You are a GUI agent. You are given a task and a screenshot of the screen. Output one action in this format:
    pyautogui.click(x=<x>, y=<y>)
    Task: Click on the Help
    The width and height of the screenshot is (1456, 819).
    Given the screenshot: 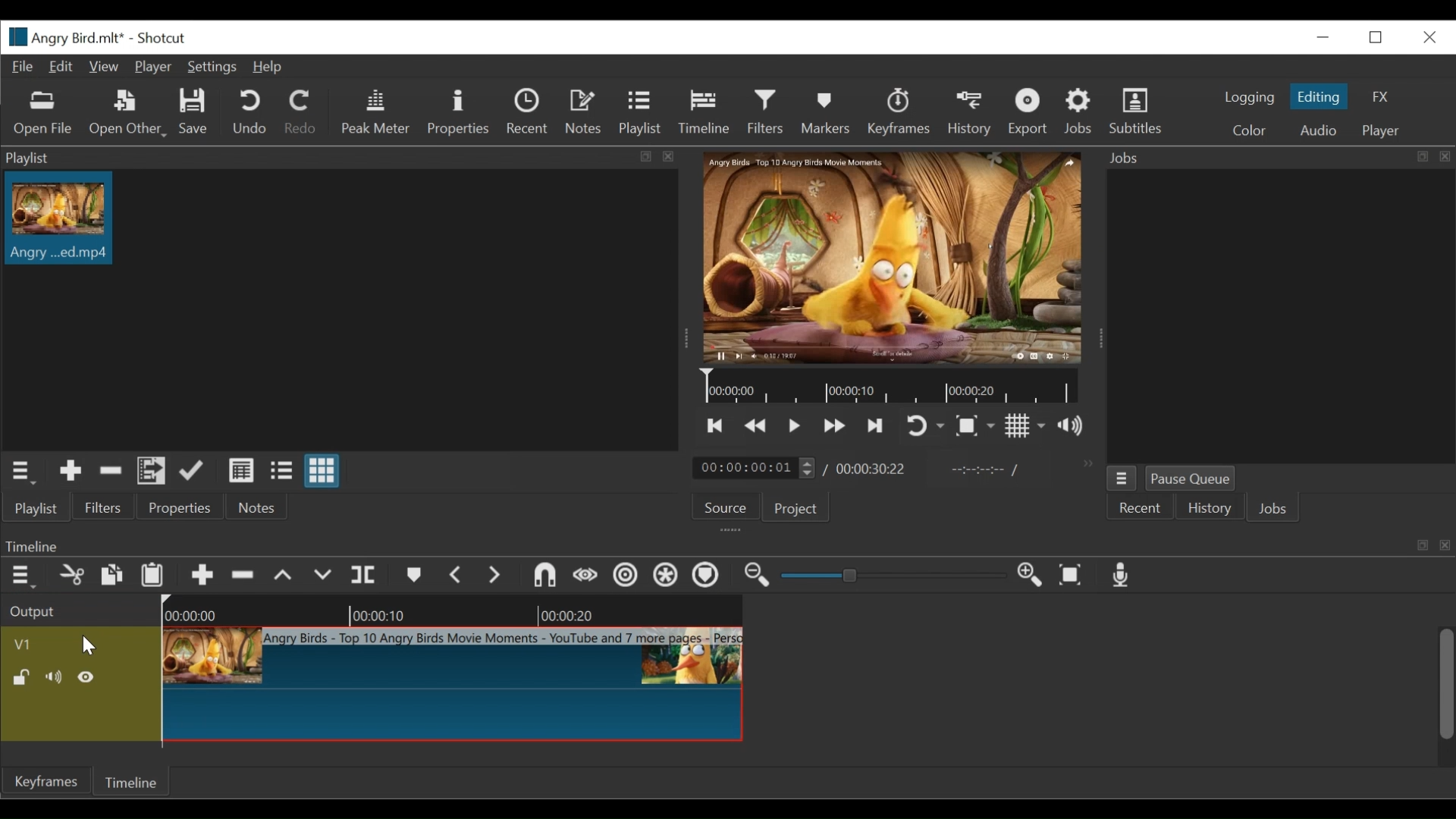 What is the action you would take?
    pyautogui.click(x=269, y=67)
    